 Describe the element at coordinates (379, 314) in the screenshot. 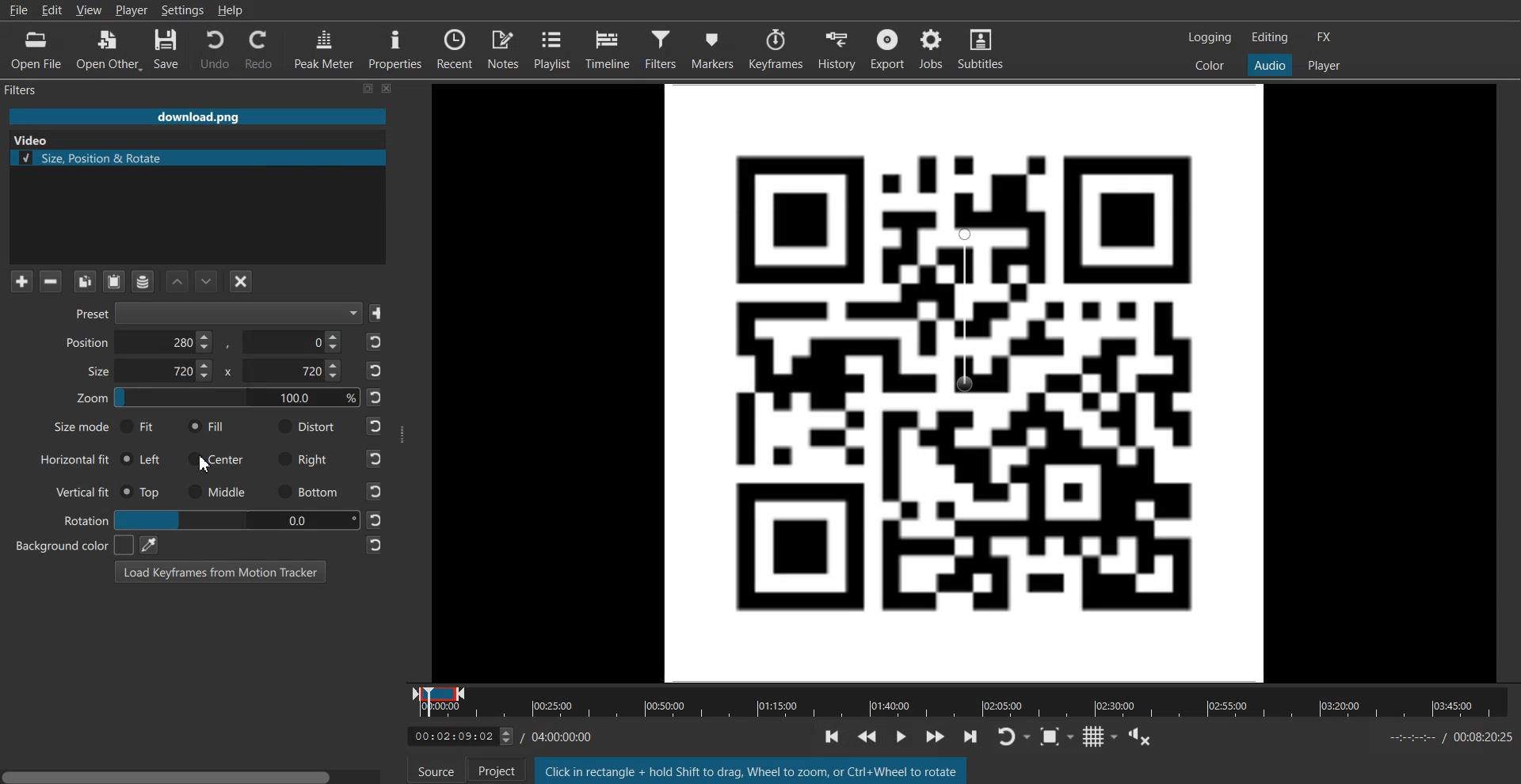

I see `Save` at that location.